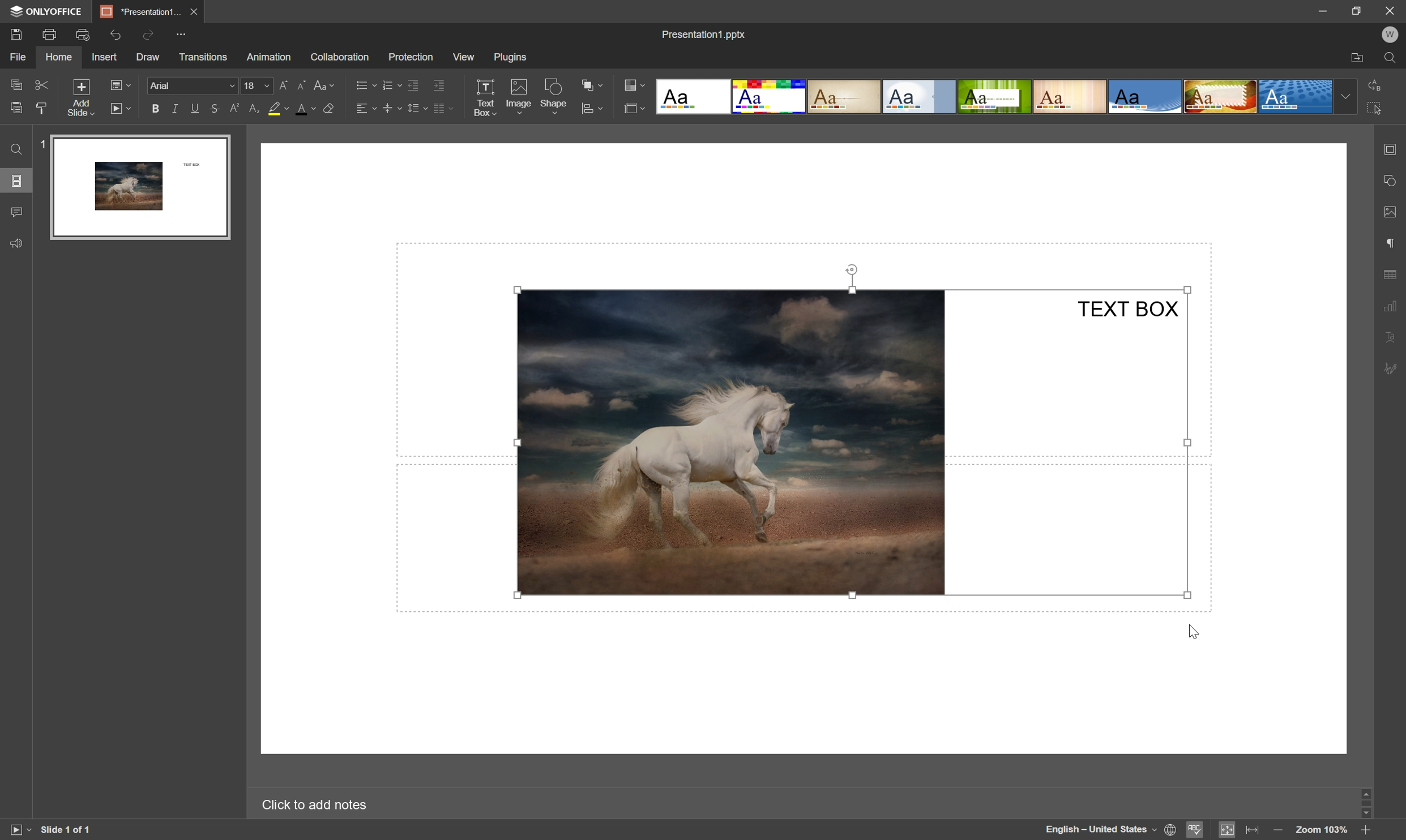 The height and width of the screenshot is (840, 1406). Describe the element at coordinates (121, 108) in the screenshot. I see `start slideshow` at that location.